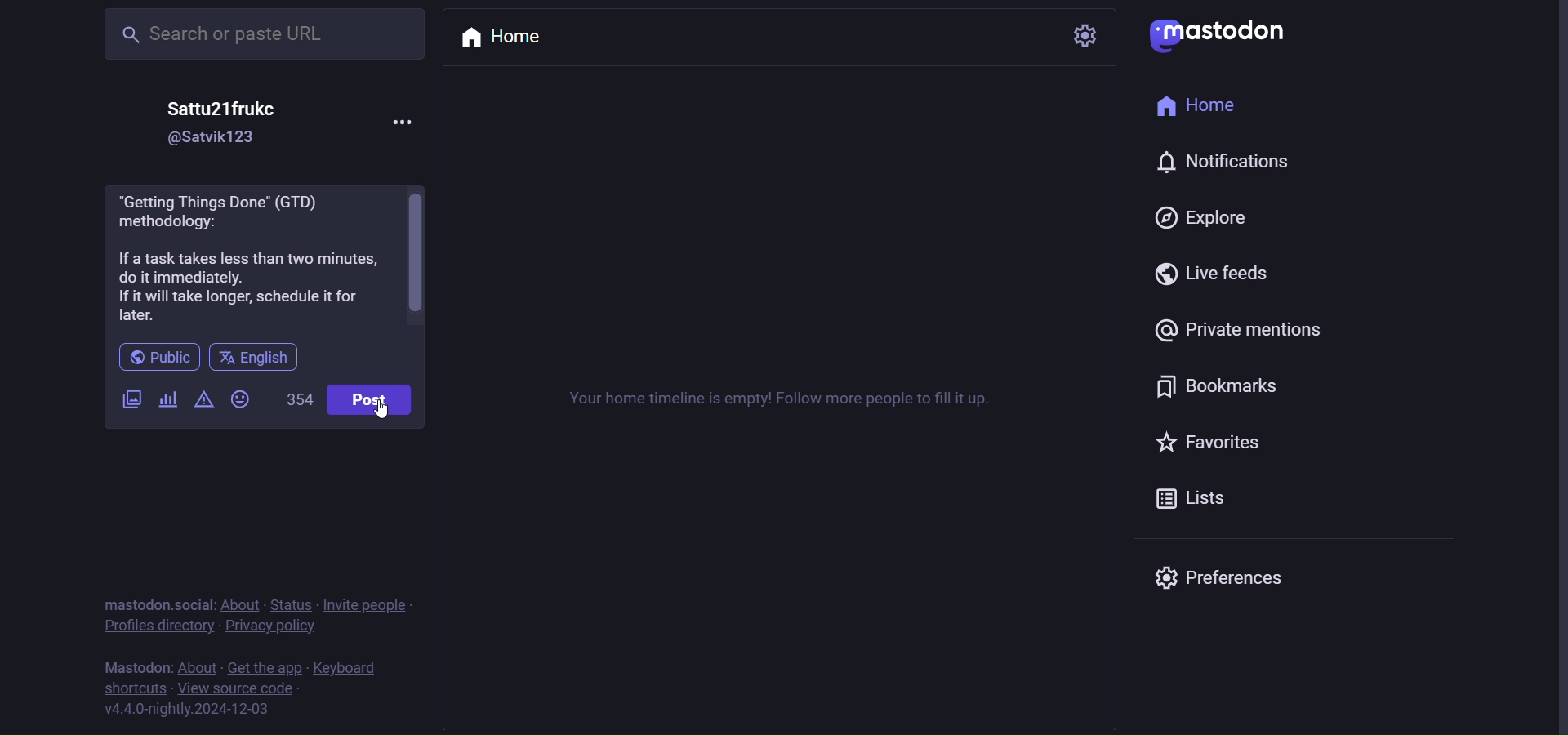 The width and height of the screenshot is (1568, 735). I want to click on preferences, so click(1223, 575).